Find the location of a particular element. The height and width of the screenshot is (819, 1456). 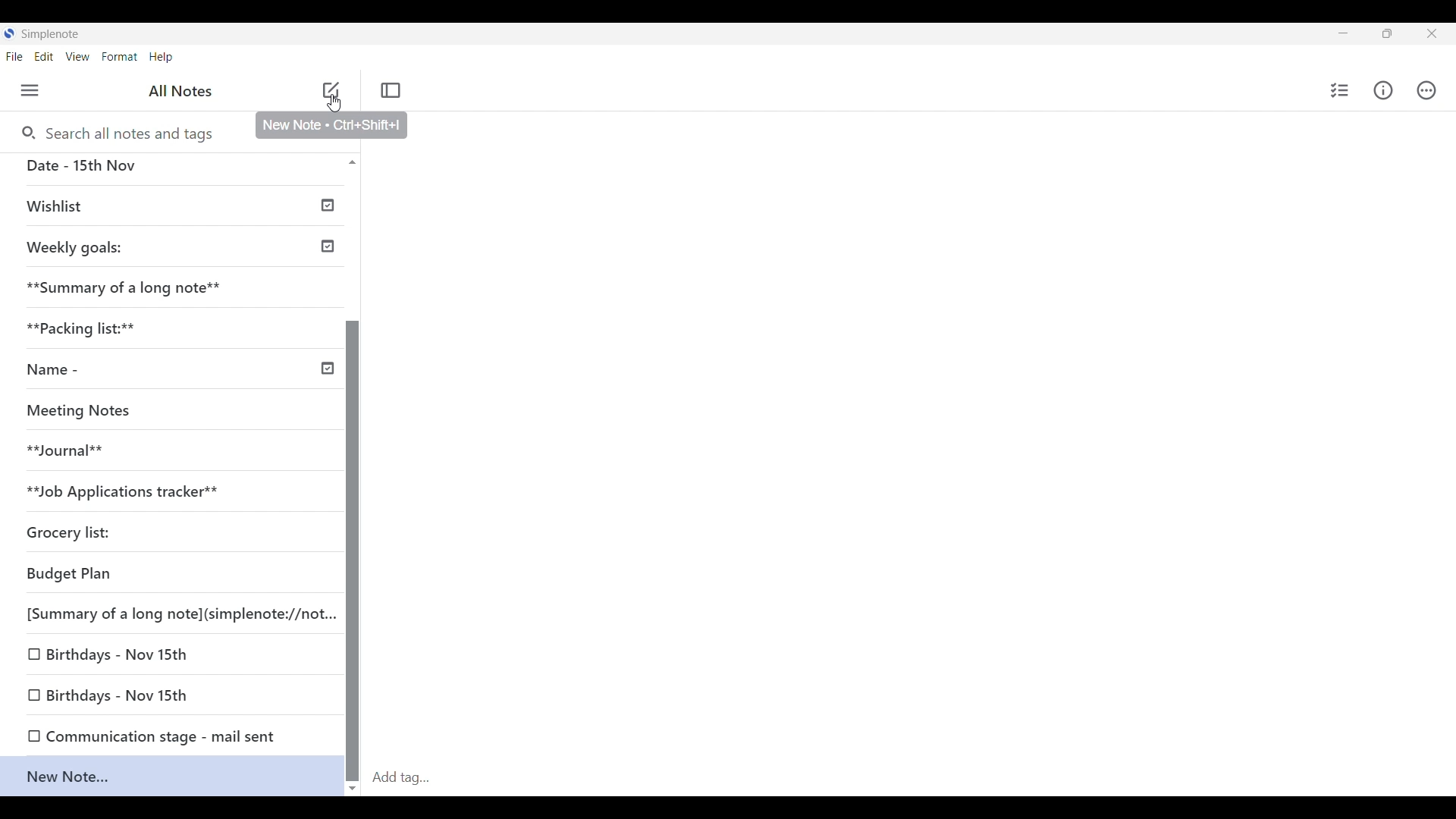

Vertical slide bar is located at coordinates (352, 551).